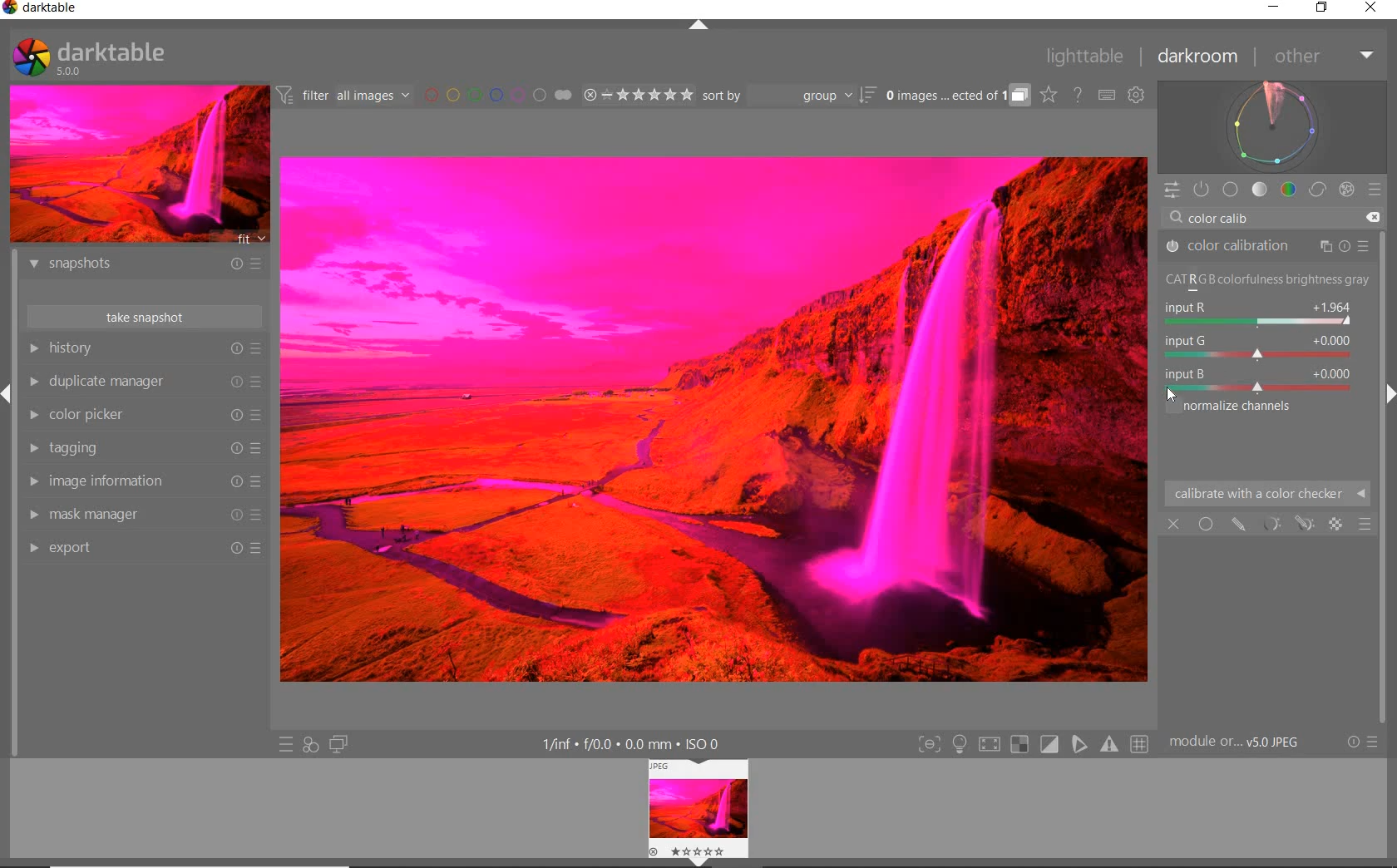 This screenshot has height=868, width=1397. I want to click on history, so click(144, 348).